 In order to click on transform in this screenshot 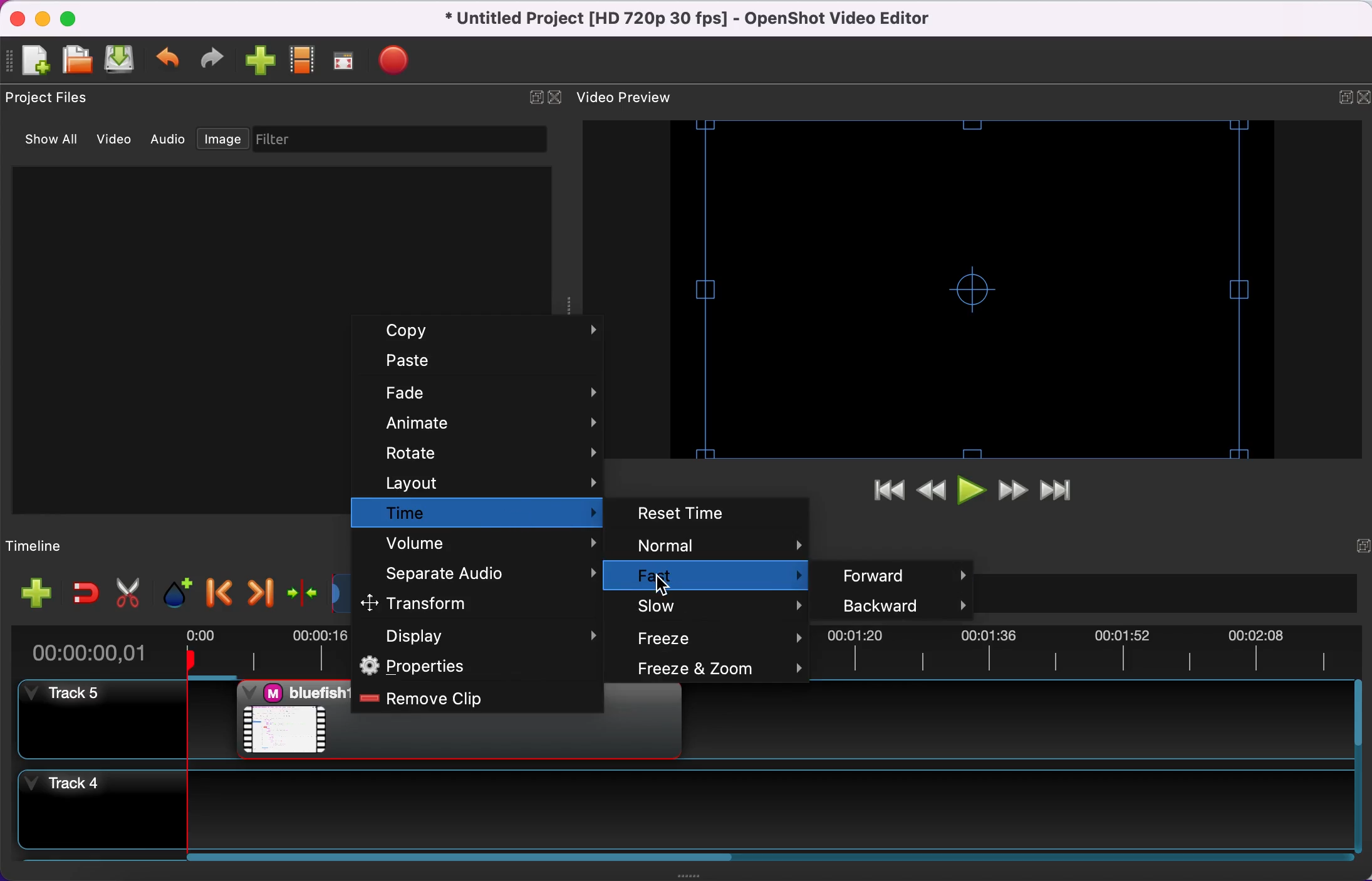, I will do `click(469, 603)`.